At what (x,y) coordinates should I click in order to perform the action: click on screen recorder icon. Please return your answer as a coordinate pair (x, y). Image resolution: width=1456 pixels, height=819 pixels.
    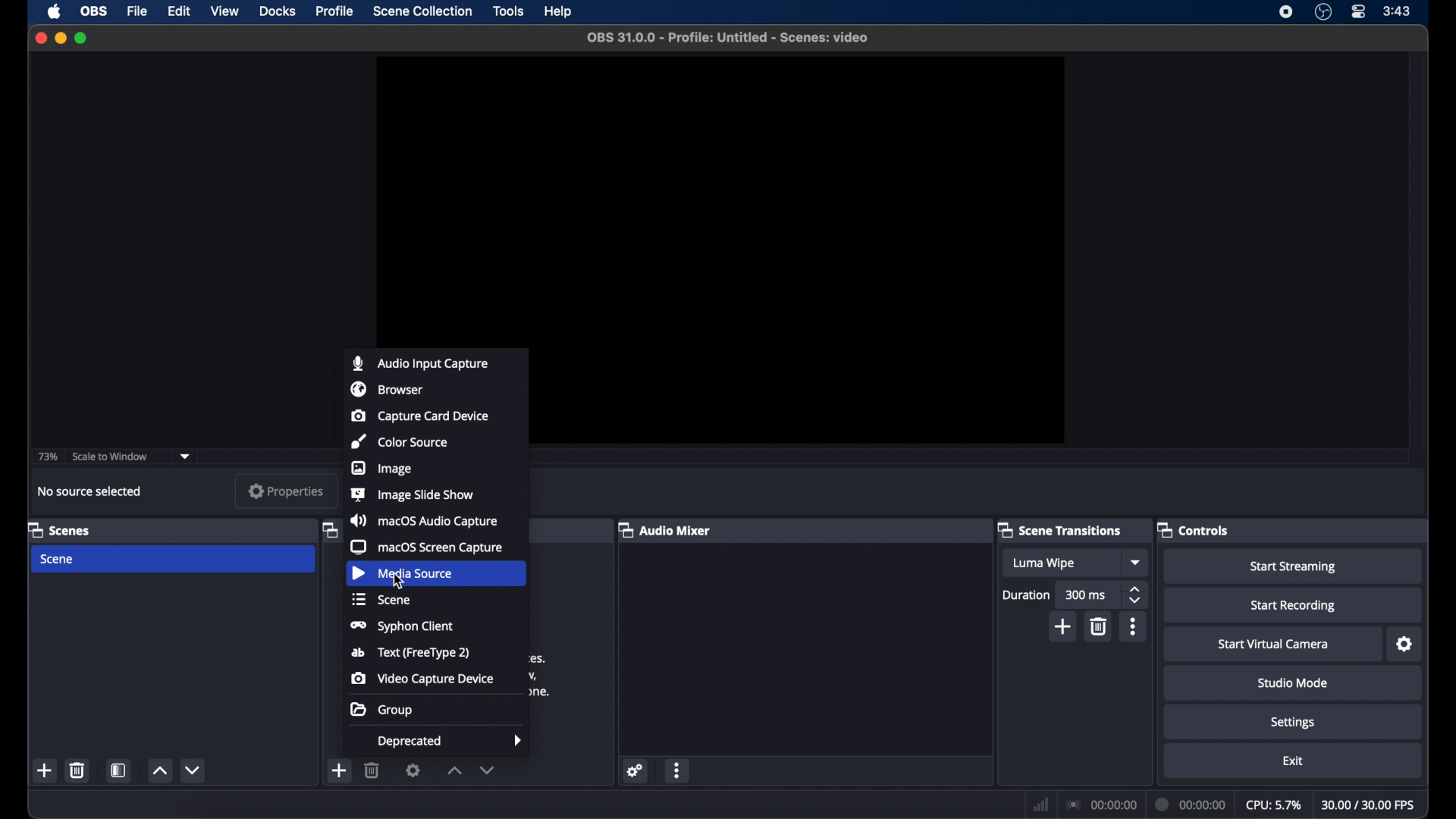
    Looking at the image, I should click on (1285, 11).